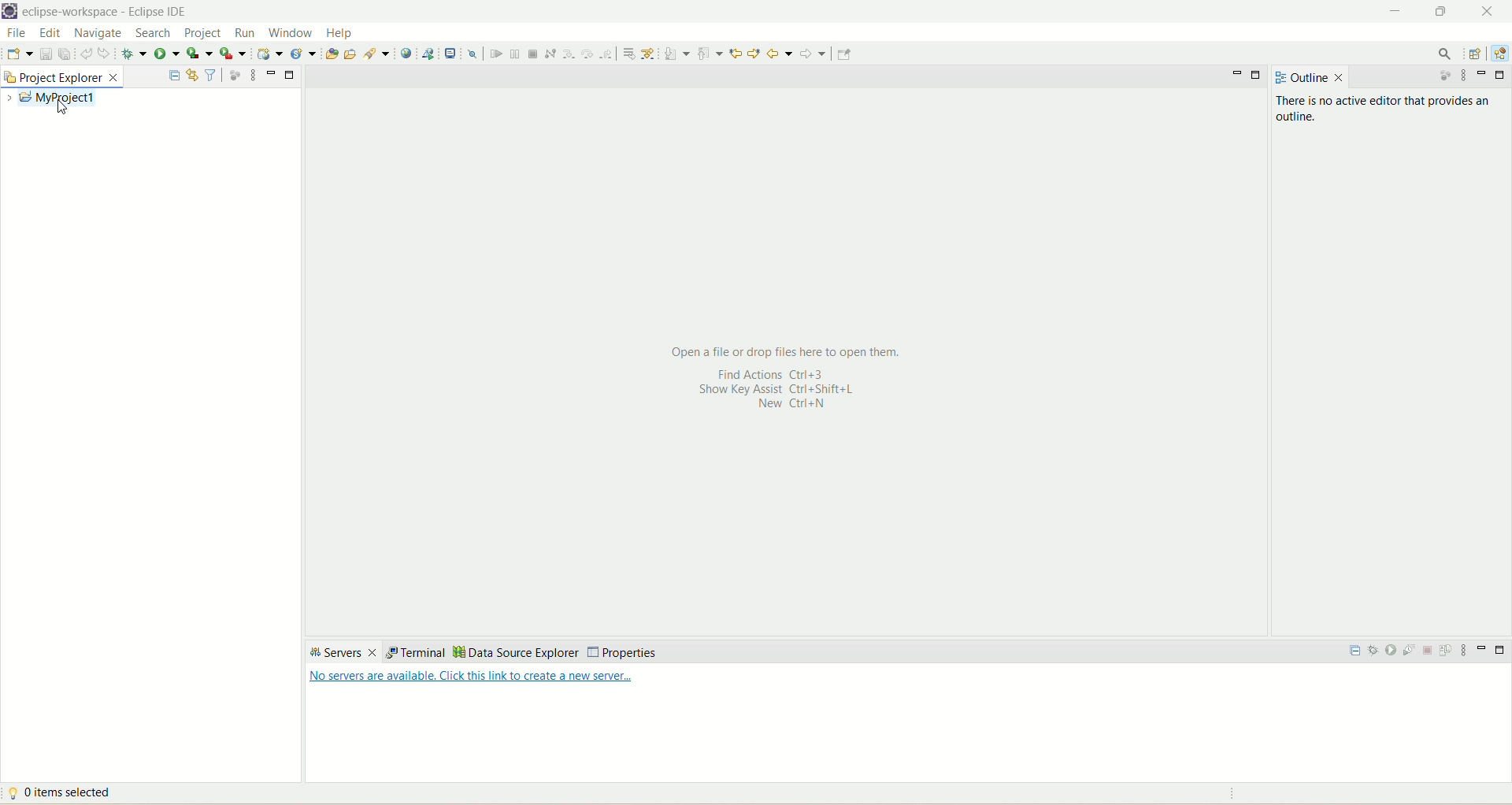 Image resolution: width=1512 pixels, height=805 pixels. Describe the element at coordinates (174, 72) in the screenshot. I see `collapse all` at that location.